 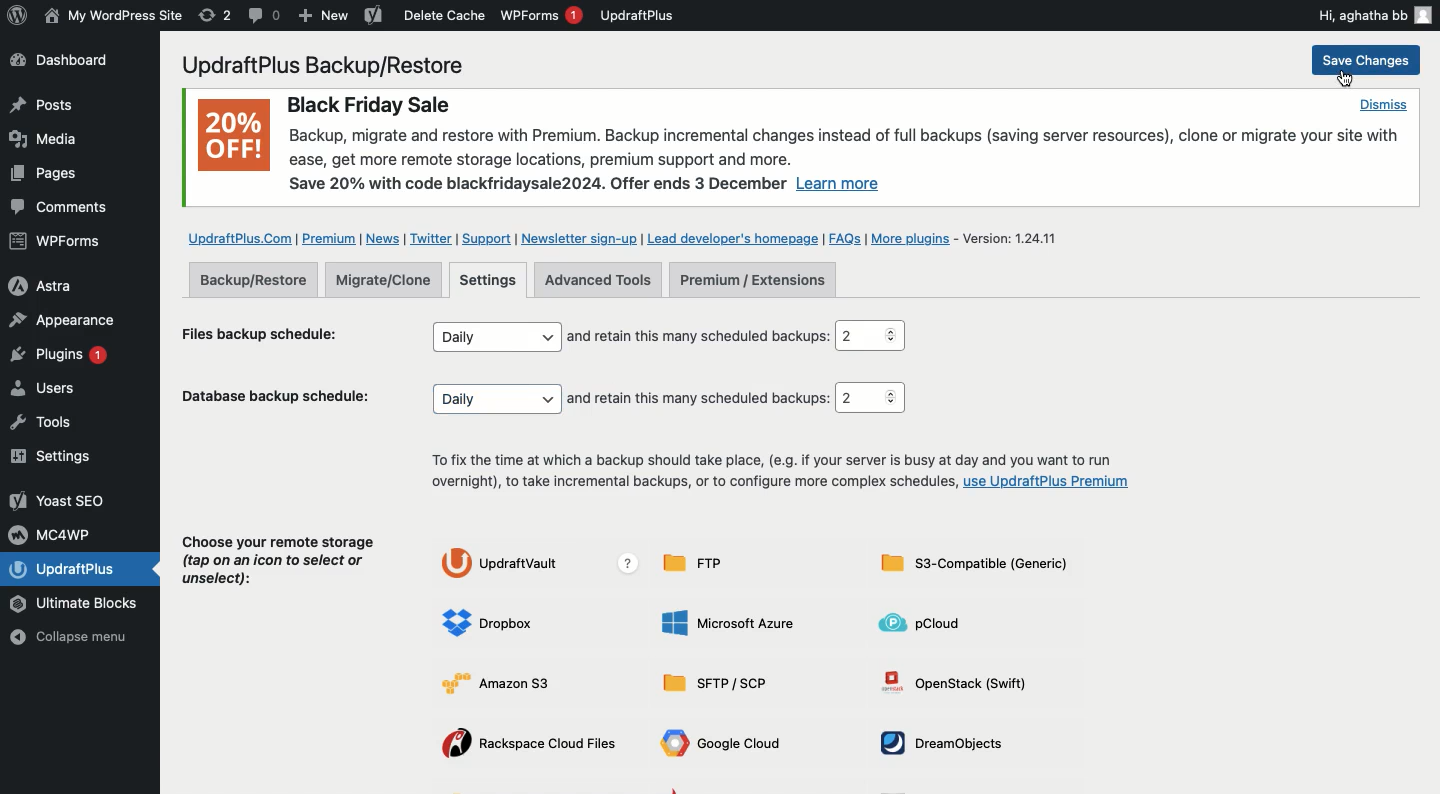 I want to click on and retain this many scheduled backups:, so click(x=701, y=399).